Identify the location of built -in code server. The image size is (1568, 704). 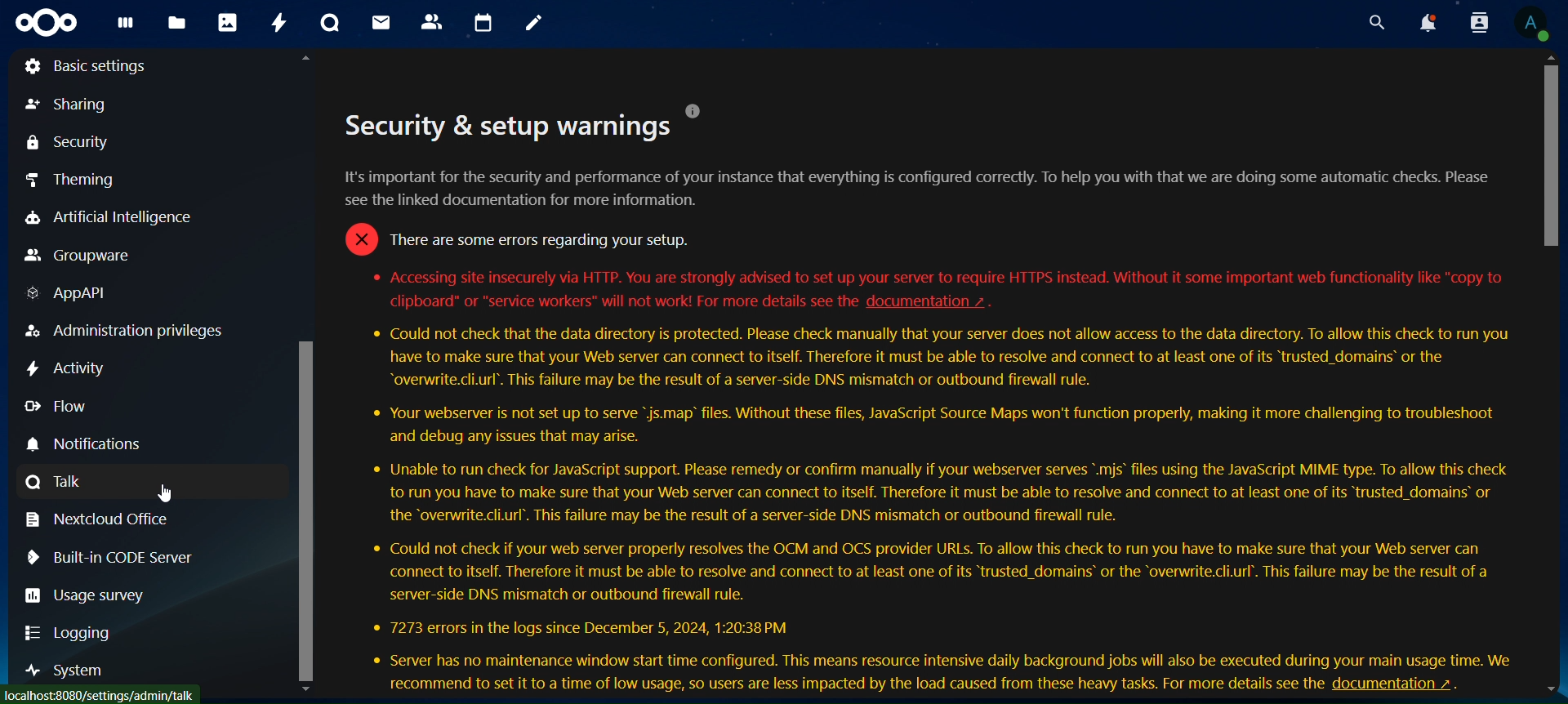
(131, 559).